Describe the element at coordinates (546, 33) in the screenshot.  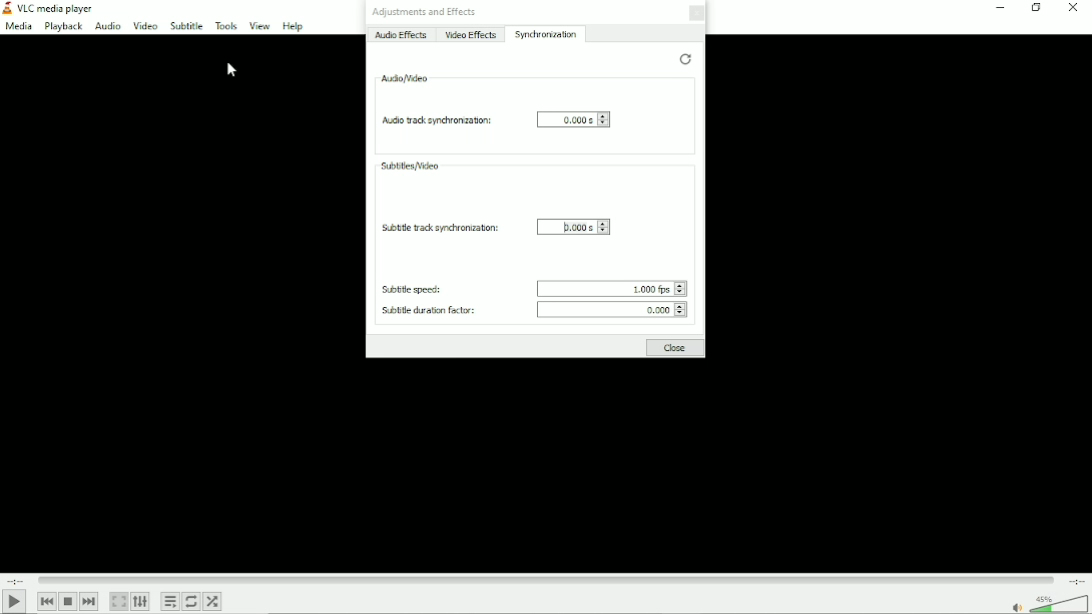
I see `Synchronization` at that location.